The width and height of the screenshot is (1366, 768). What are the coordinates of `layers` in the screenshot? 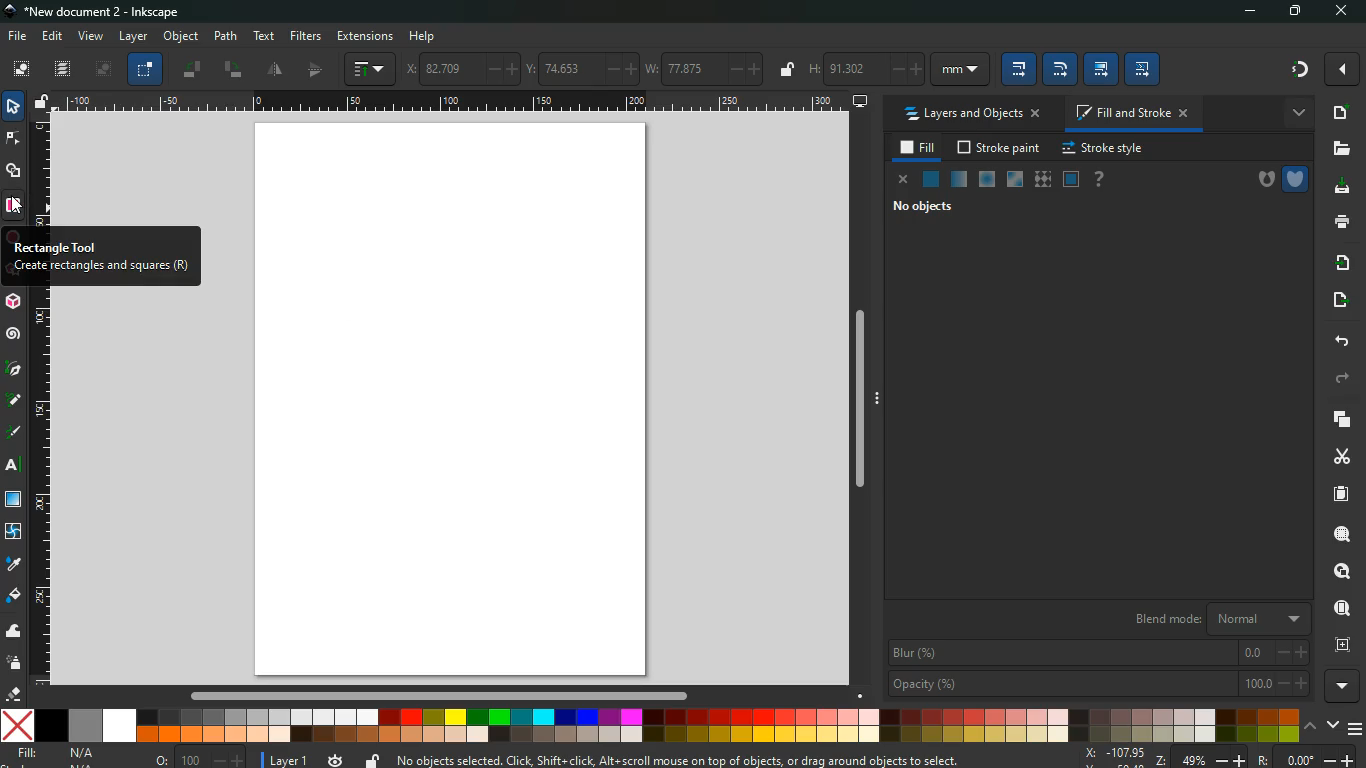 It's located at (1344, 421).